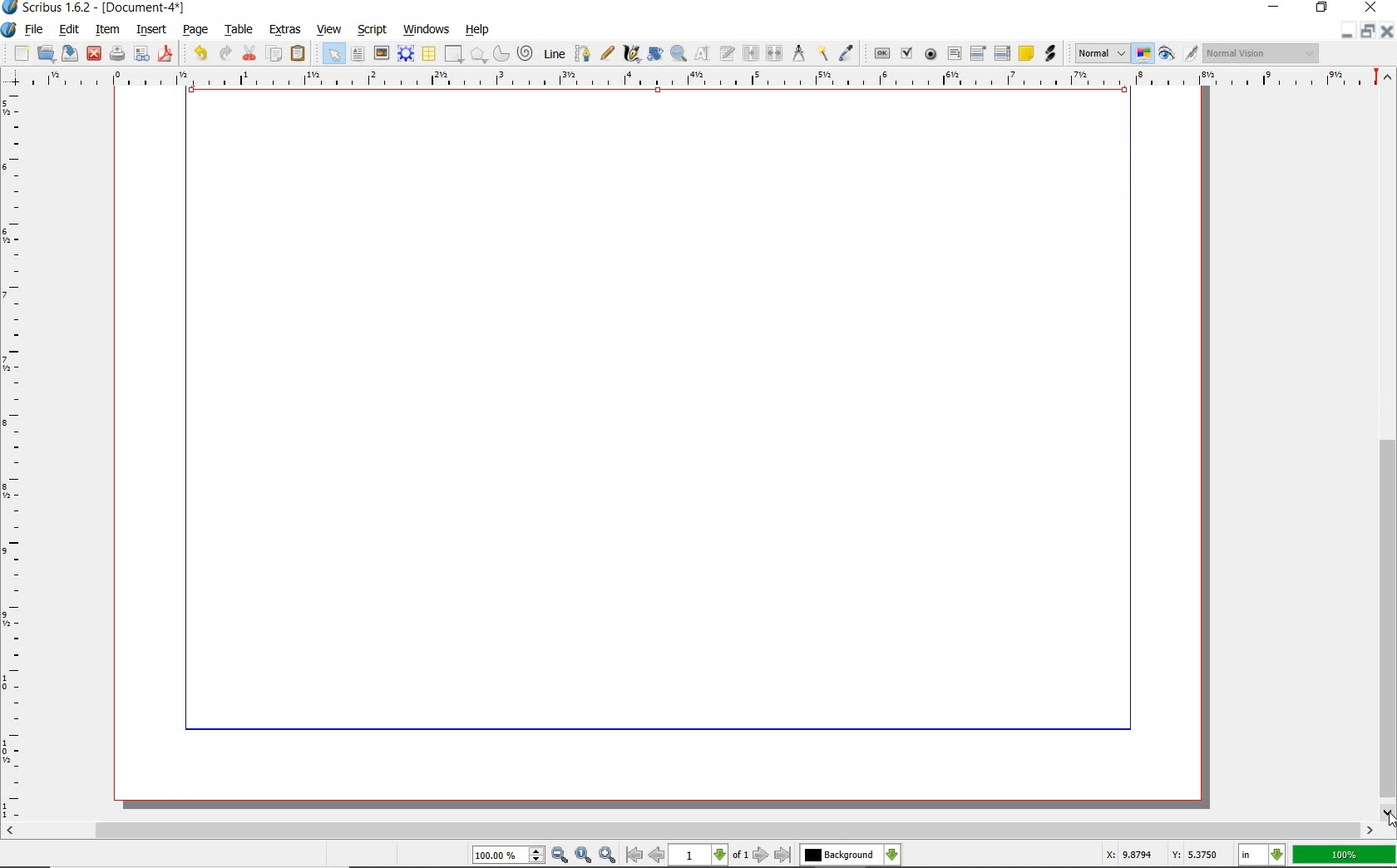 Image resolution: width=1397 pixels, height=868 pixels. I want to click on insert, so click(151, 29).